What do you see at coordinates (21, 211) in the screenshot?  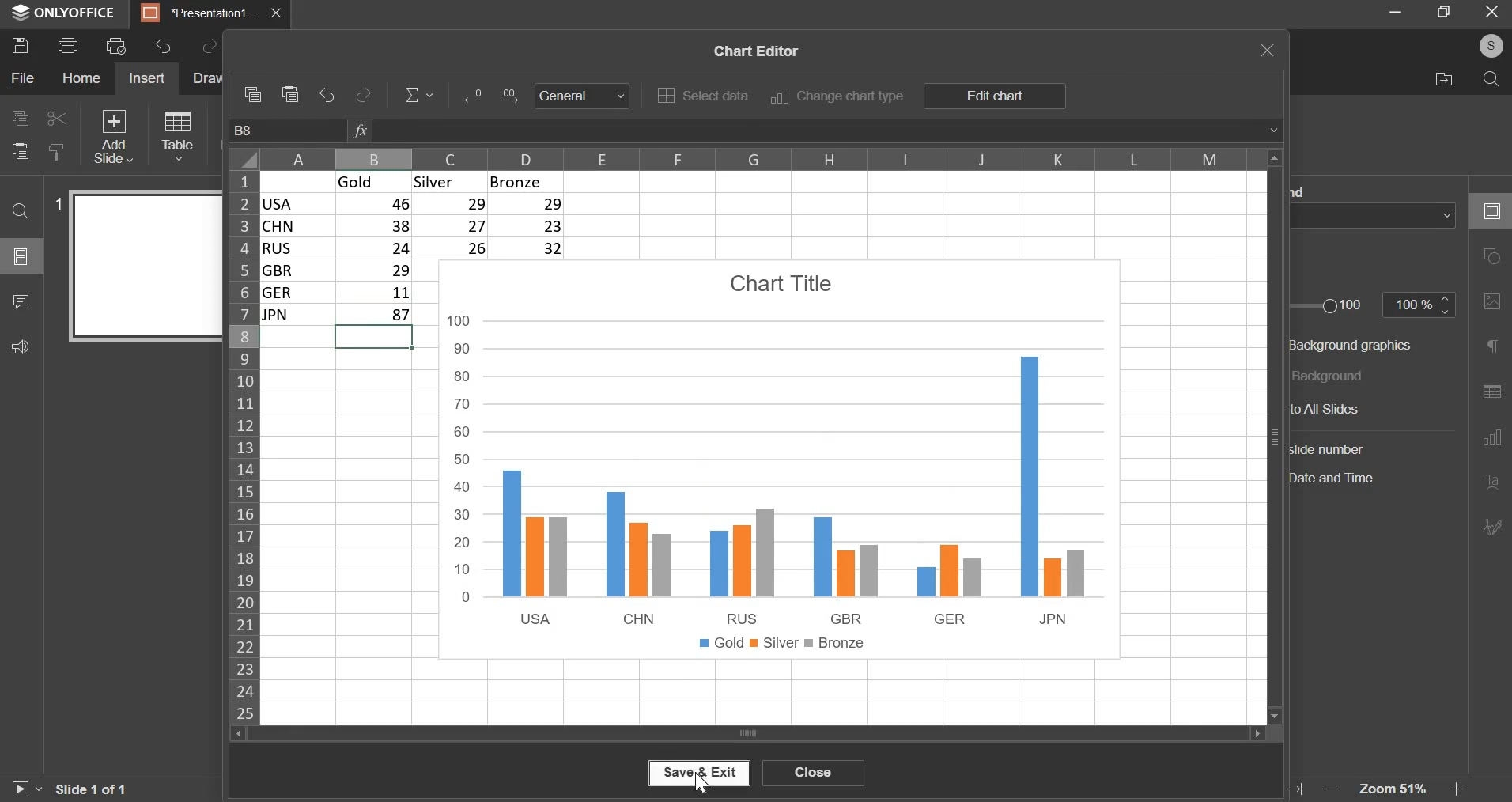 I see `find` at bounding box center [21, 211].